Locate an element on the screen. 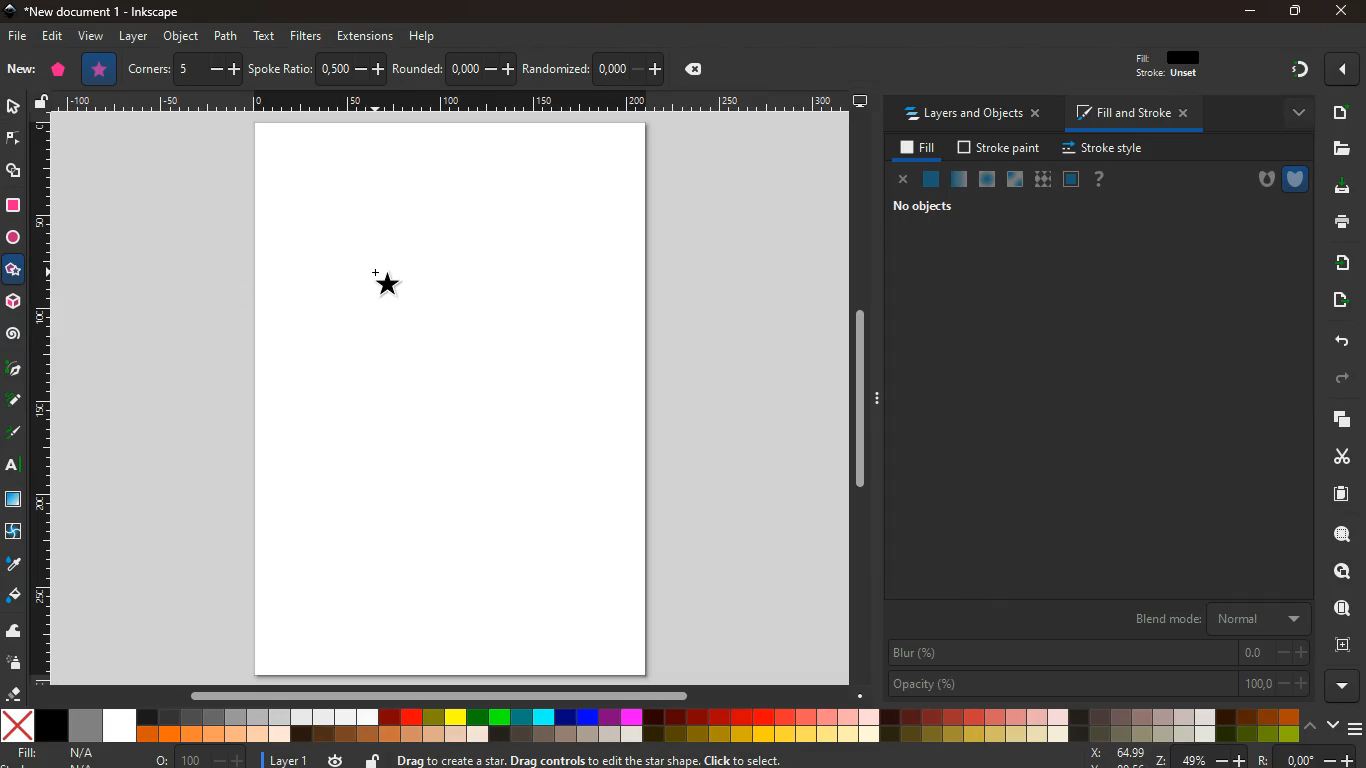 The height and width of the screenshot is (768, 1366). image is located at coordinates (452, 402).